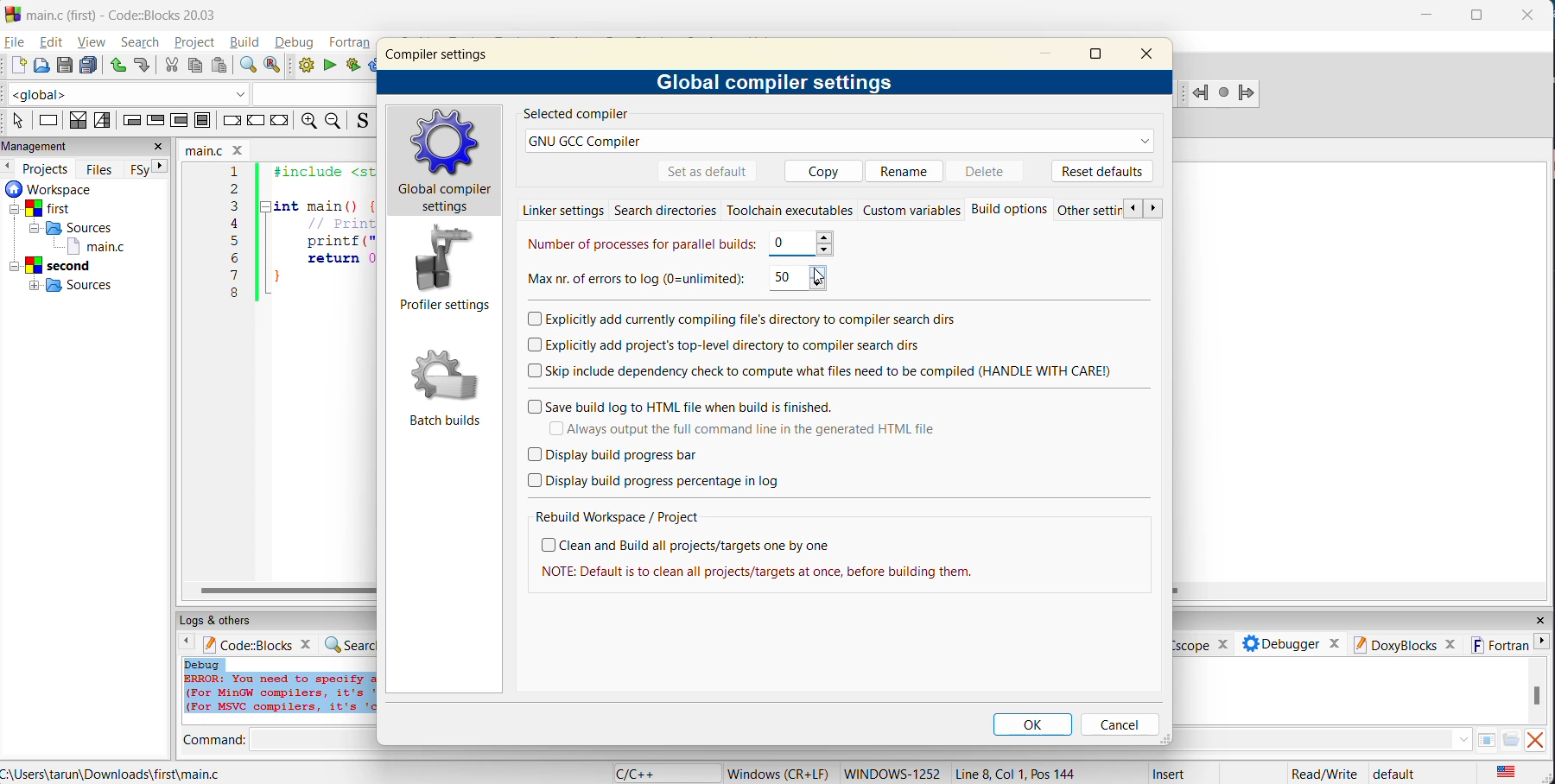  What do you see at coordinates (906, 172) in the screenshot?
I see `rename` at bounding box center [906, 172].